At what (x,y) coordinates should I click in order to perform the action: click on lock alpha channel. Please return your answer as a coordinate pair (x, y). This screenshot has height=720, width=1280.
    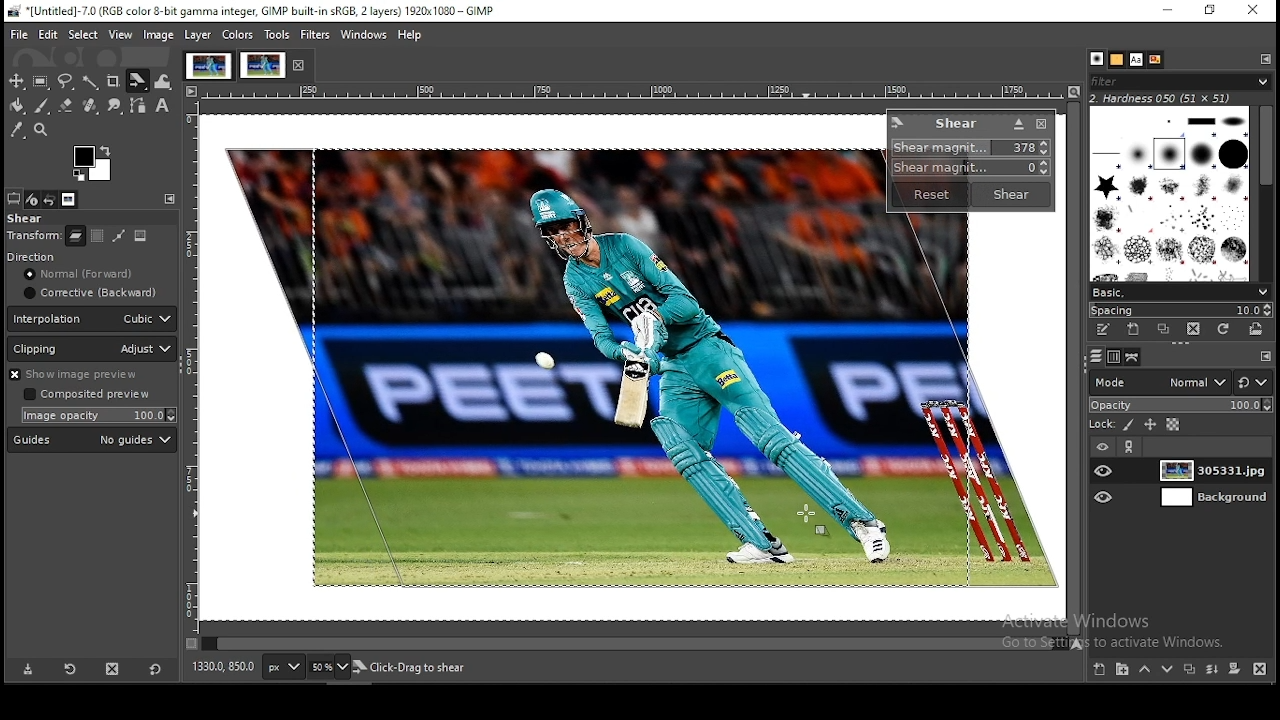
    Looking at the image, I should click on (1174, 426).